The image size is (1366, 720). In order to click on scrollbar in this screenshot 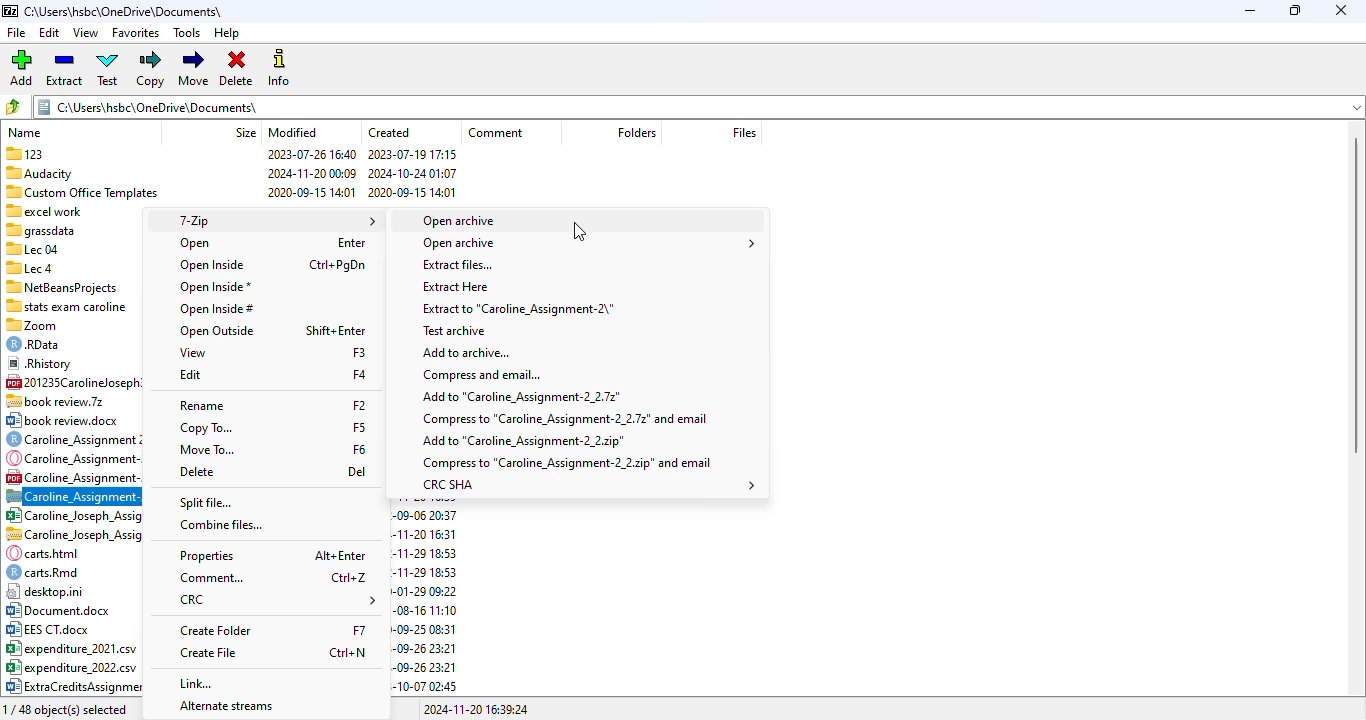, I will do `click(1359, 296)`.